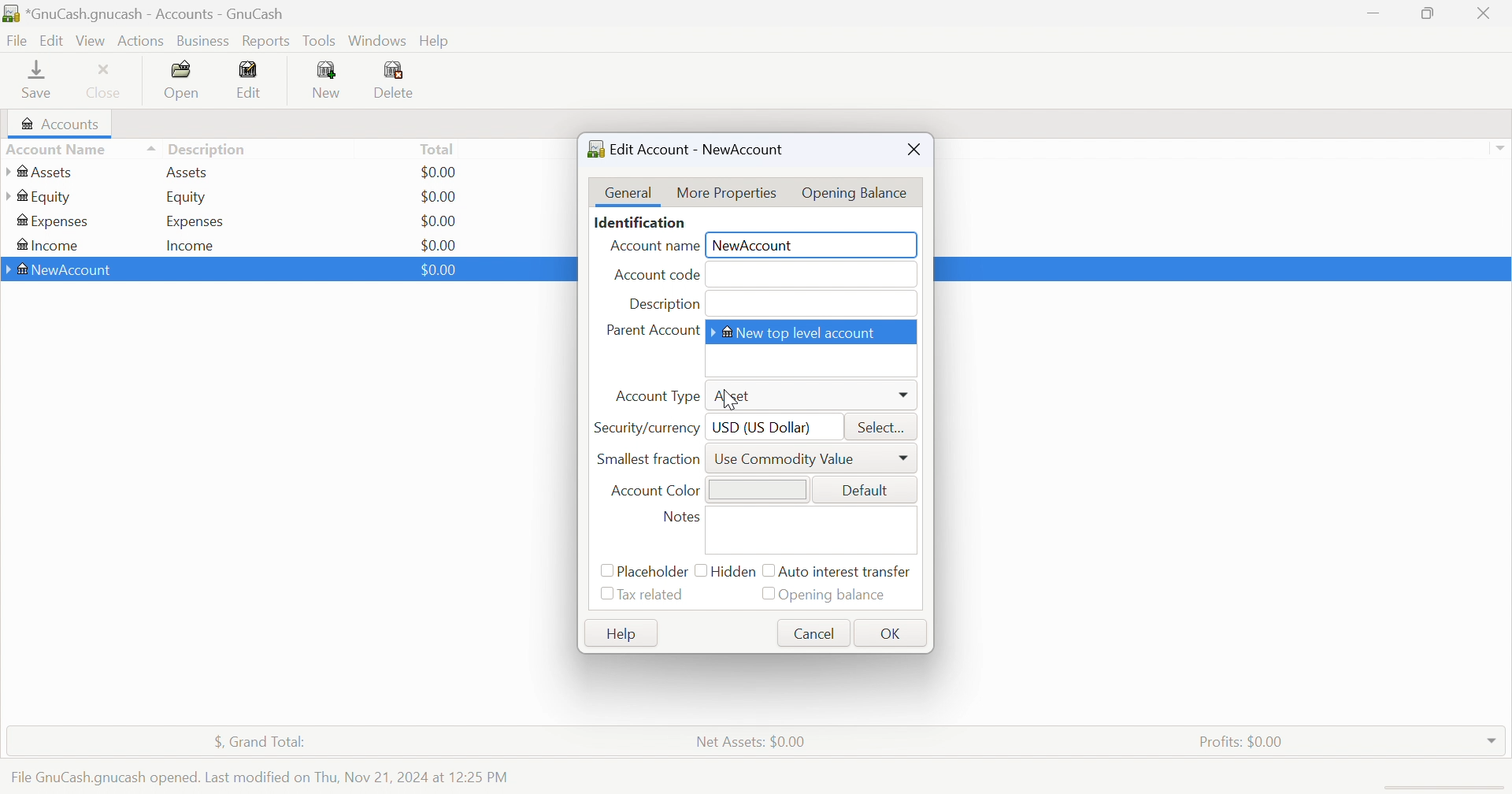 This screenshot has width=1512, height=794. I want to click on Account code, so click(660, 273).